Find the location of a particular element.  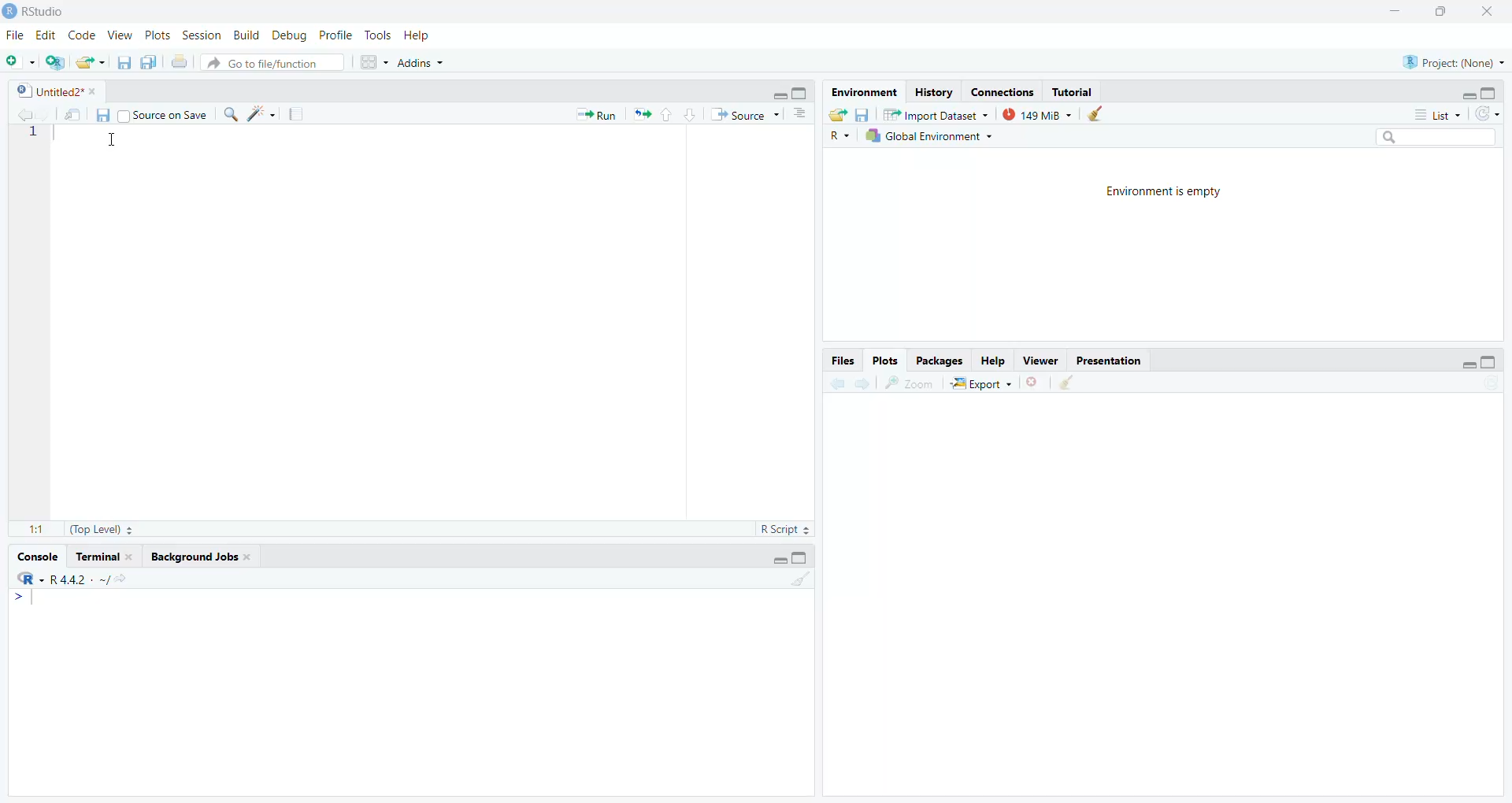

Go to next section/chunk (Ctrl + pgDn) is located at coordinates (691, 113).